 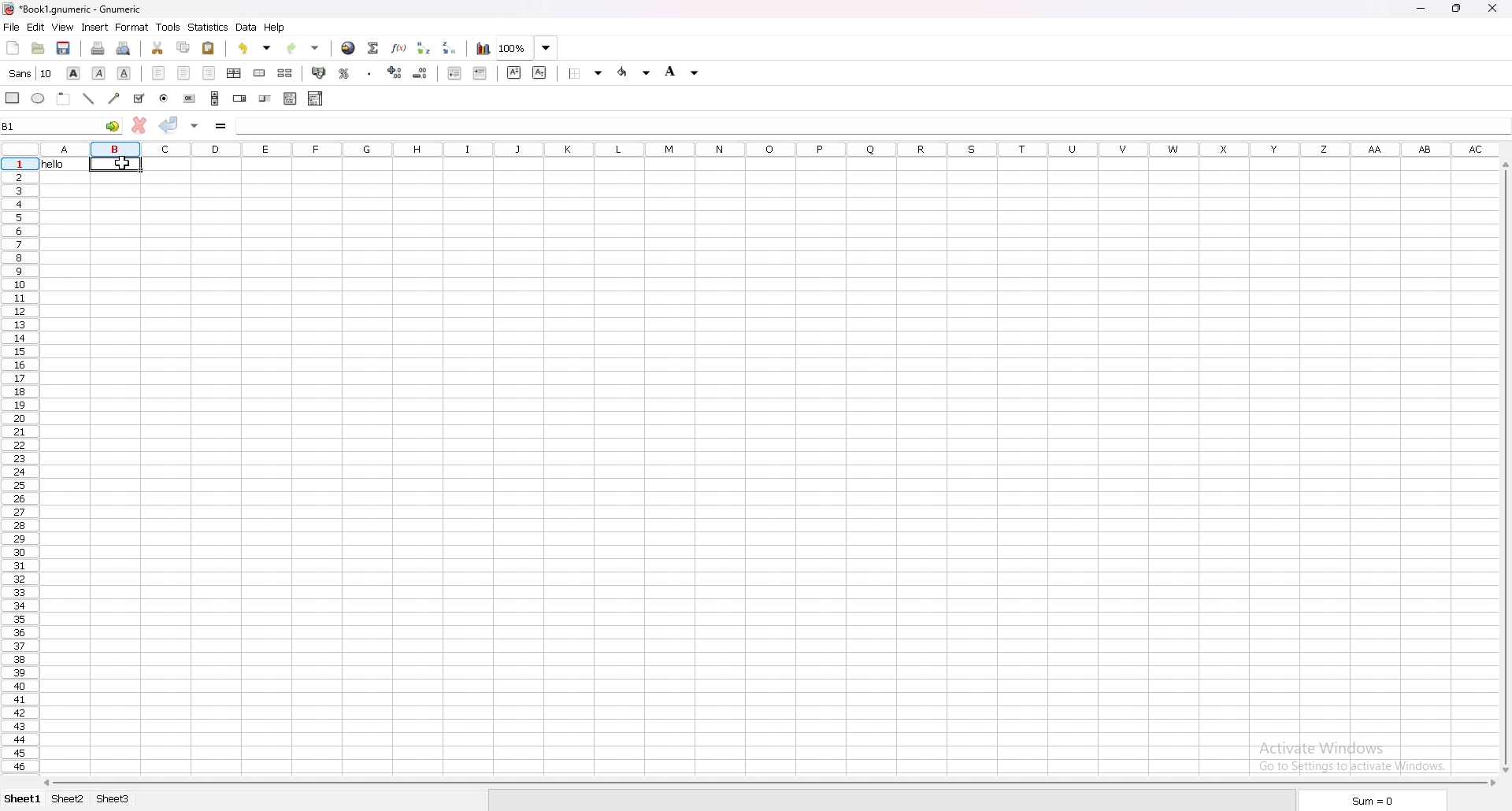 What do you see at coordinates (349, 47) in the screenshot?
I see `hyperlink` at bounding box center [349, 47].